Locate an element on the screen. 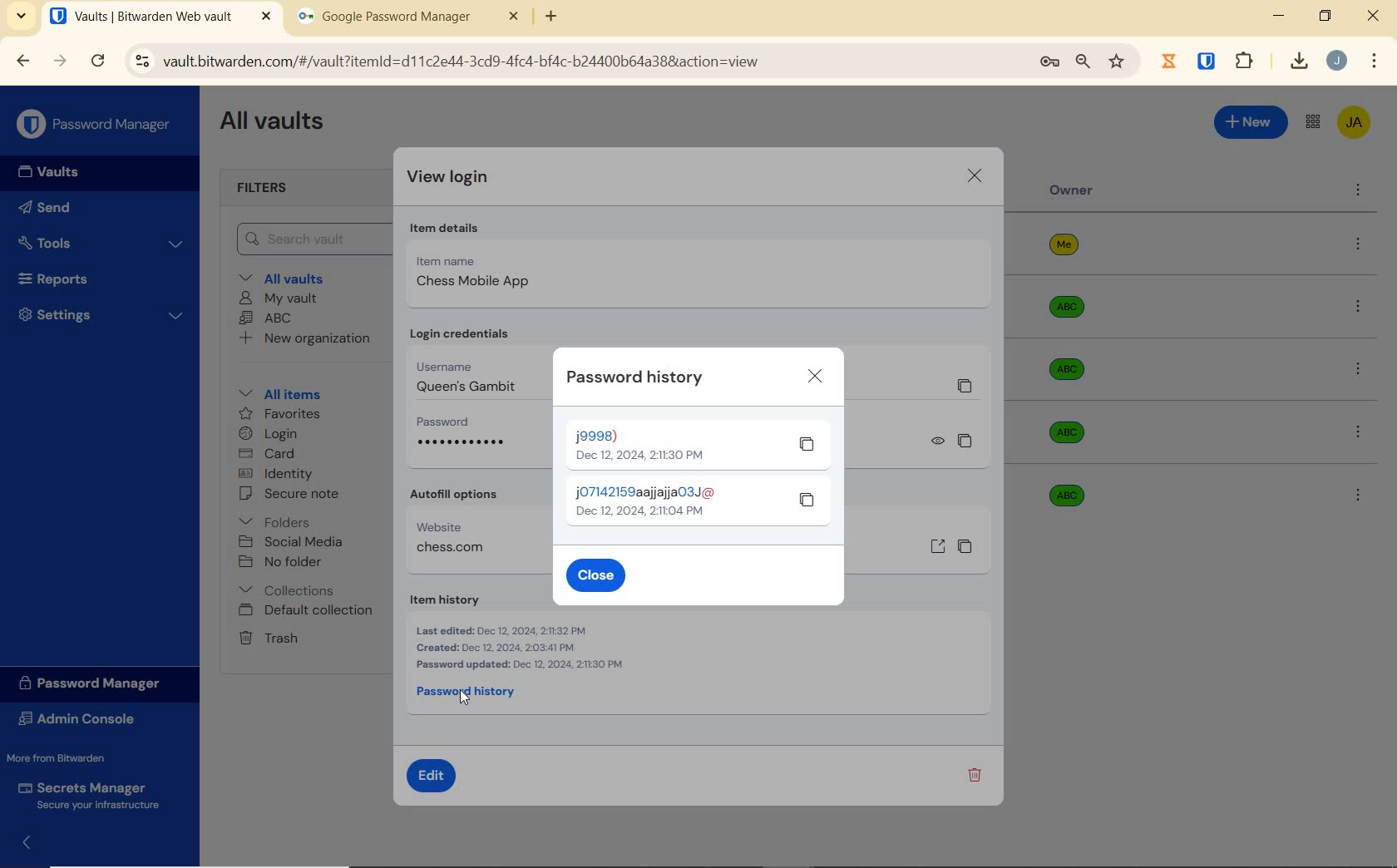 The height and width of the screenshot is (868, 1397). abc is located at coordinates (1066, 433).